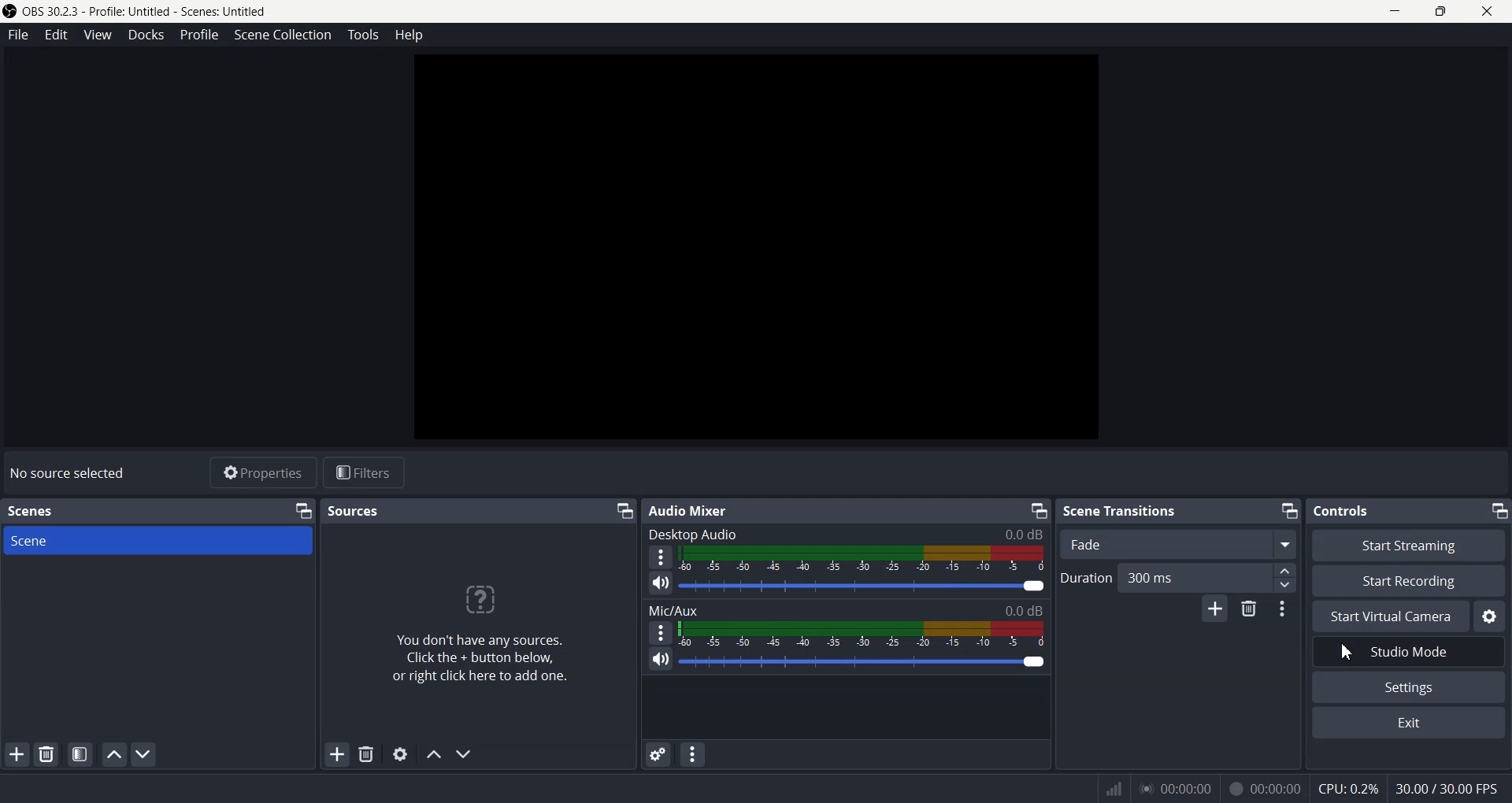  What do you see at coordinates (302, 512) in the screenshot?
I see `Minimize` at bounding box center [302, 512].